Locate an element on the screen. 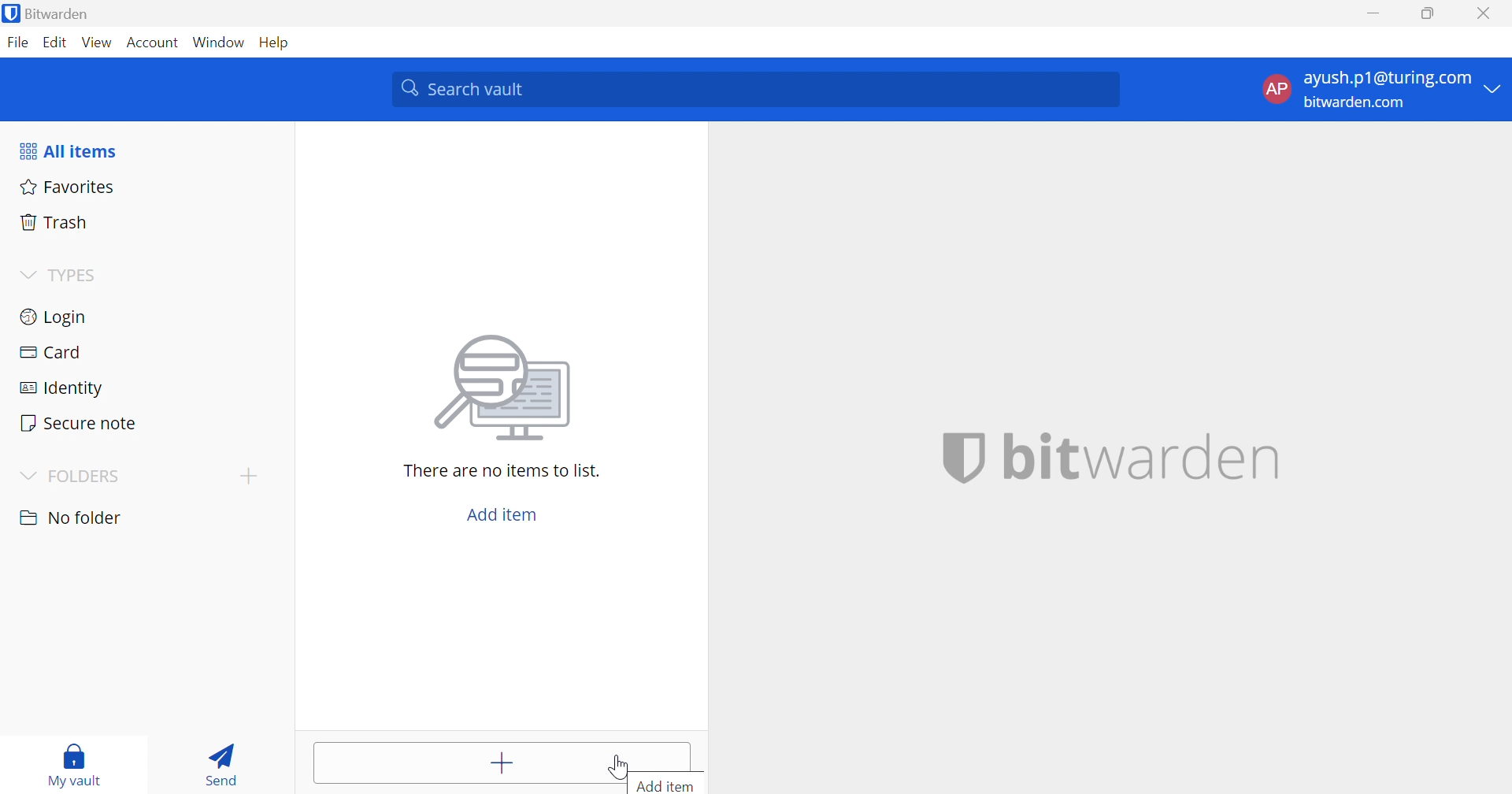  Send is located at coordinates (217, 761).